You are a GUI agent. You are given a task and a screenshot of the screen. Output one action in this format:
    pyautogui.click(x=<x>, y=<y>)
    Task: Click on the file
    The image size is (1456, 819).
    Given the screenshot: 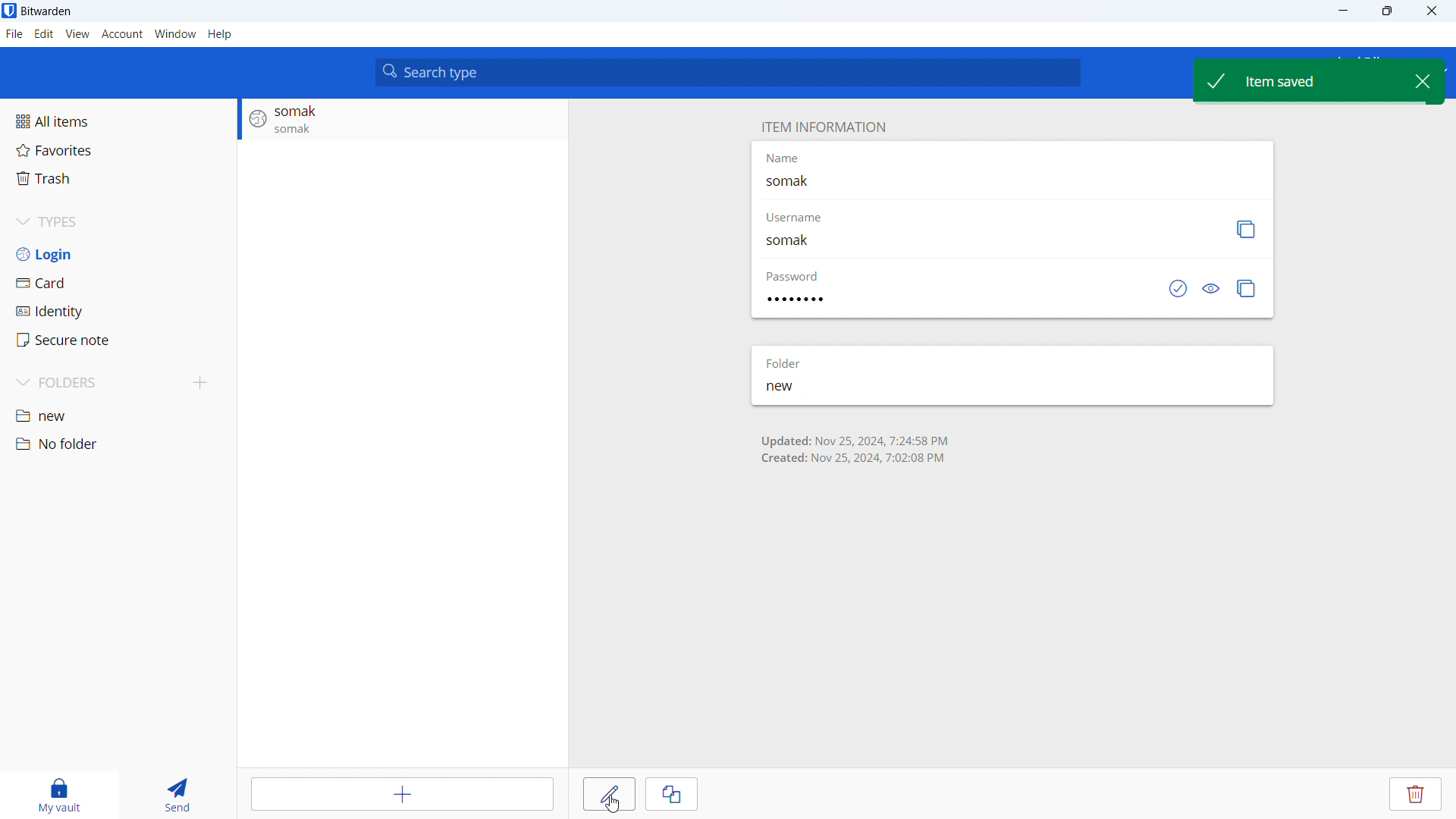 What is the action you would take?
    pyautogui.click(x=14, y=34)
    